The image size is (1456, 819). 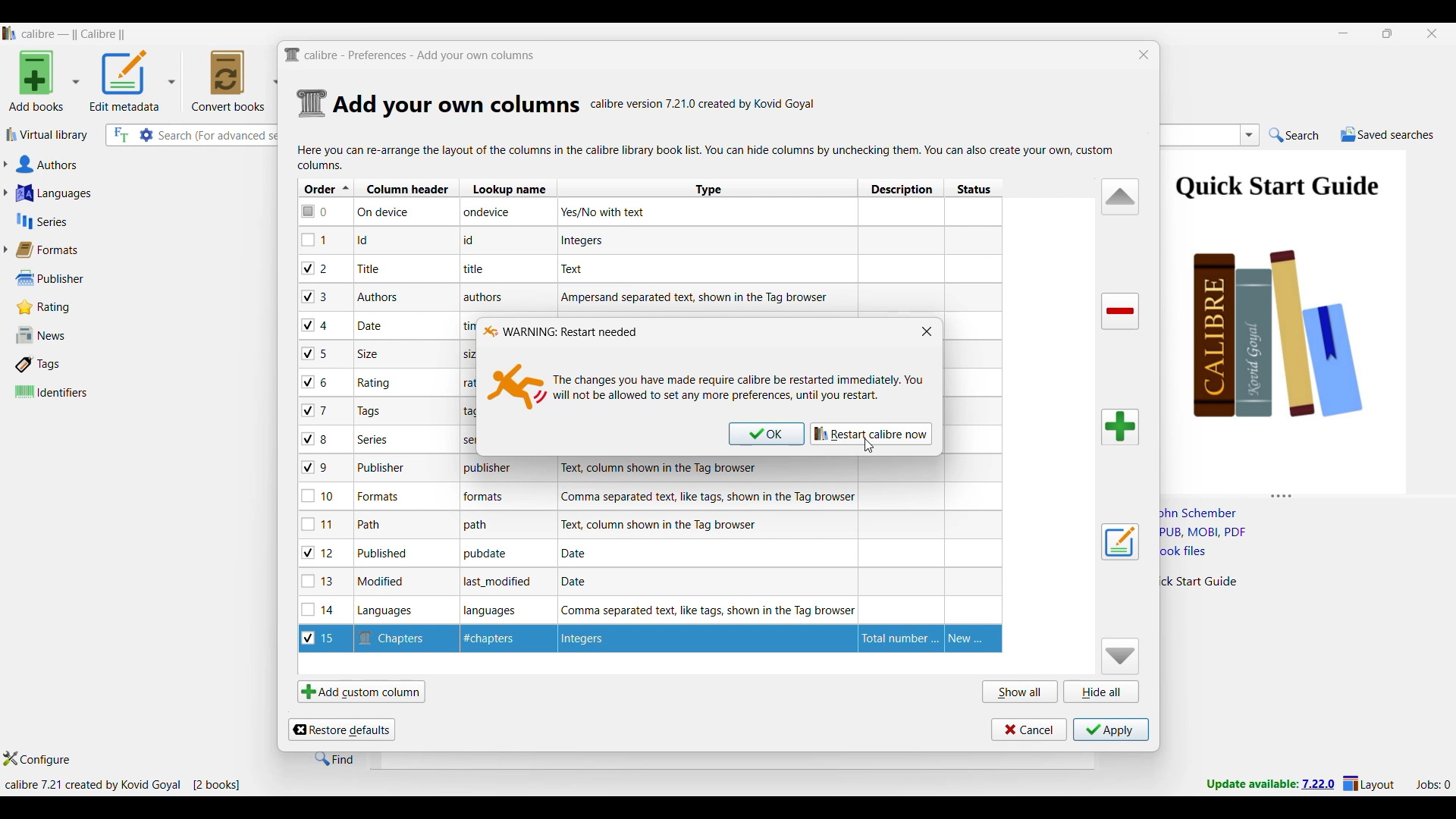 I want to click on Column highlighted, so click(x=975, y=405).